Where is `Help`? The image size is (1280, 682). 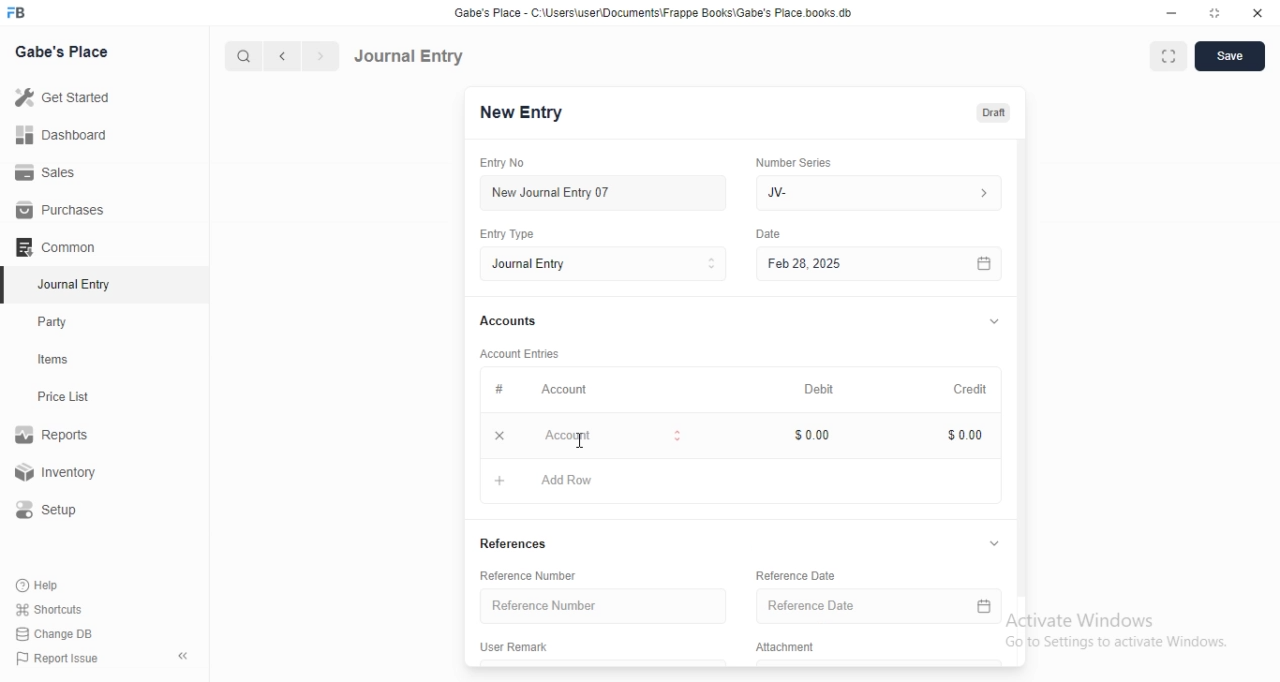
Help is located at coordinates (41, 585).